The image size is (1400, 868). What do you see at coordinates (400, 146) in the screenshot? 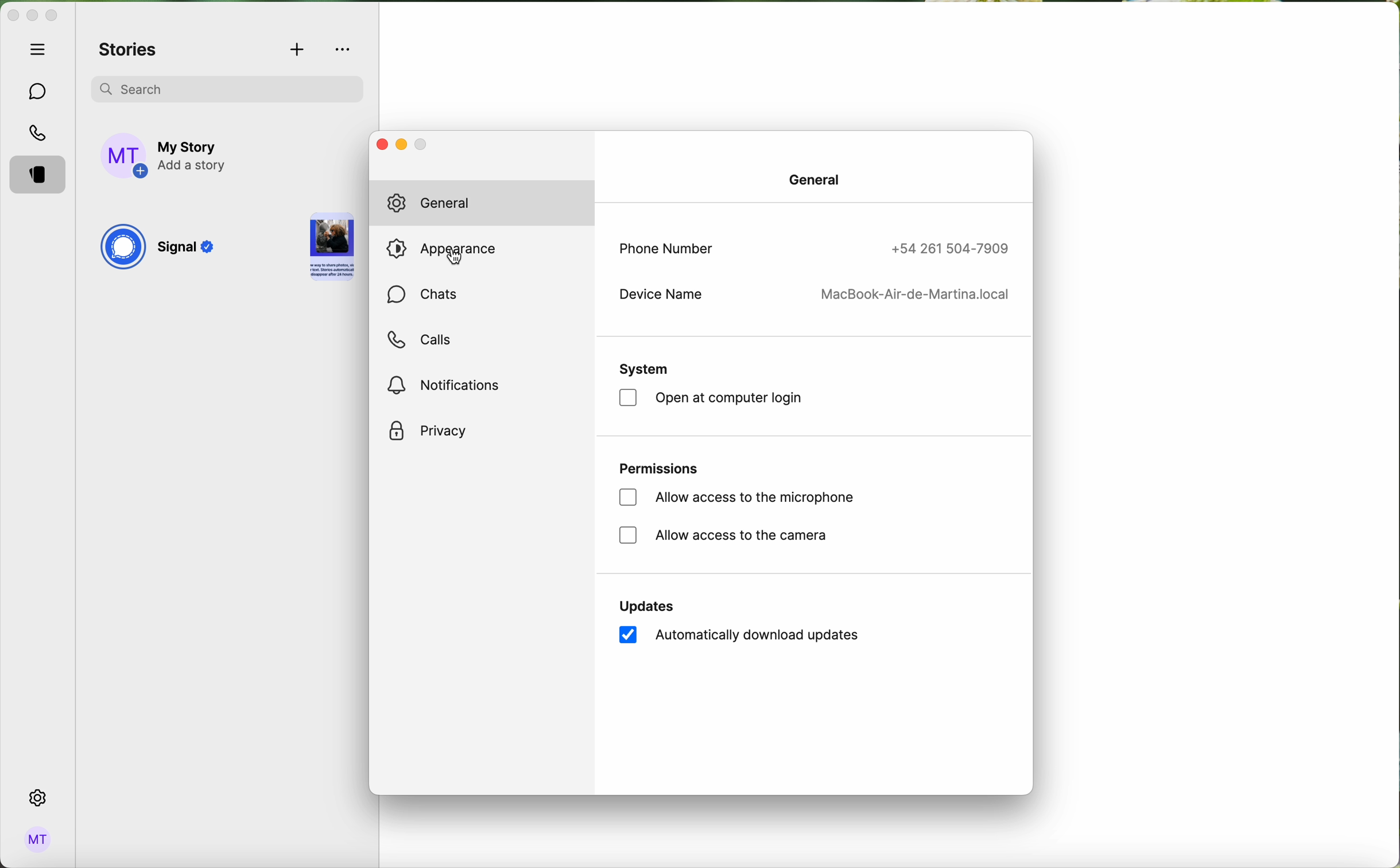
I see `minimize` at bounding box center [400, 146].